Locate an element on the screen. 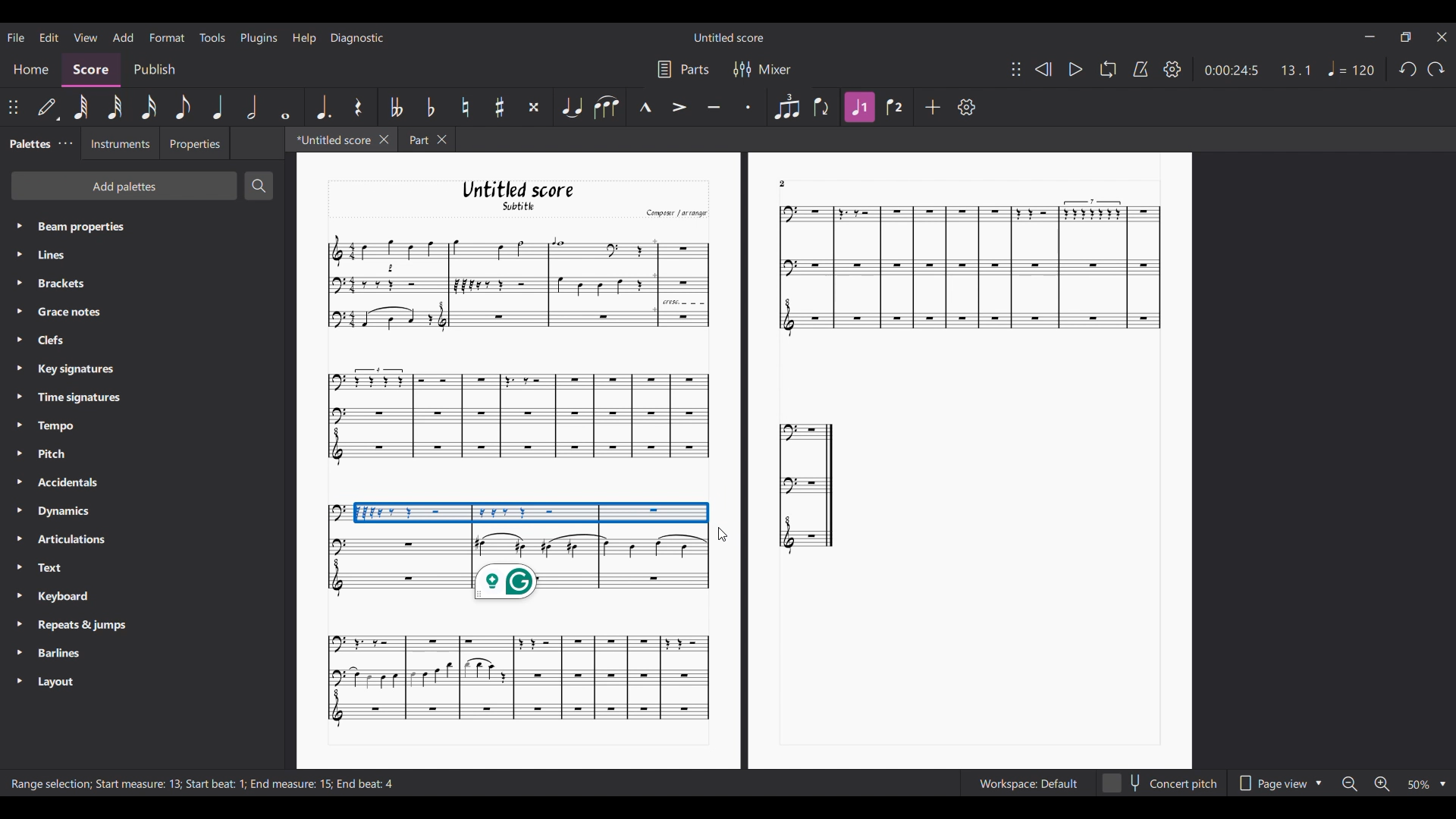 The height and width of the screenshot is (819, 1456). Mixer settings is located at coordinates (764, 69).